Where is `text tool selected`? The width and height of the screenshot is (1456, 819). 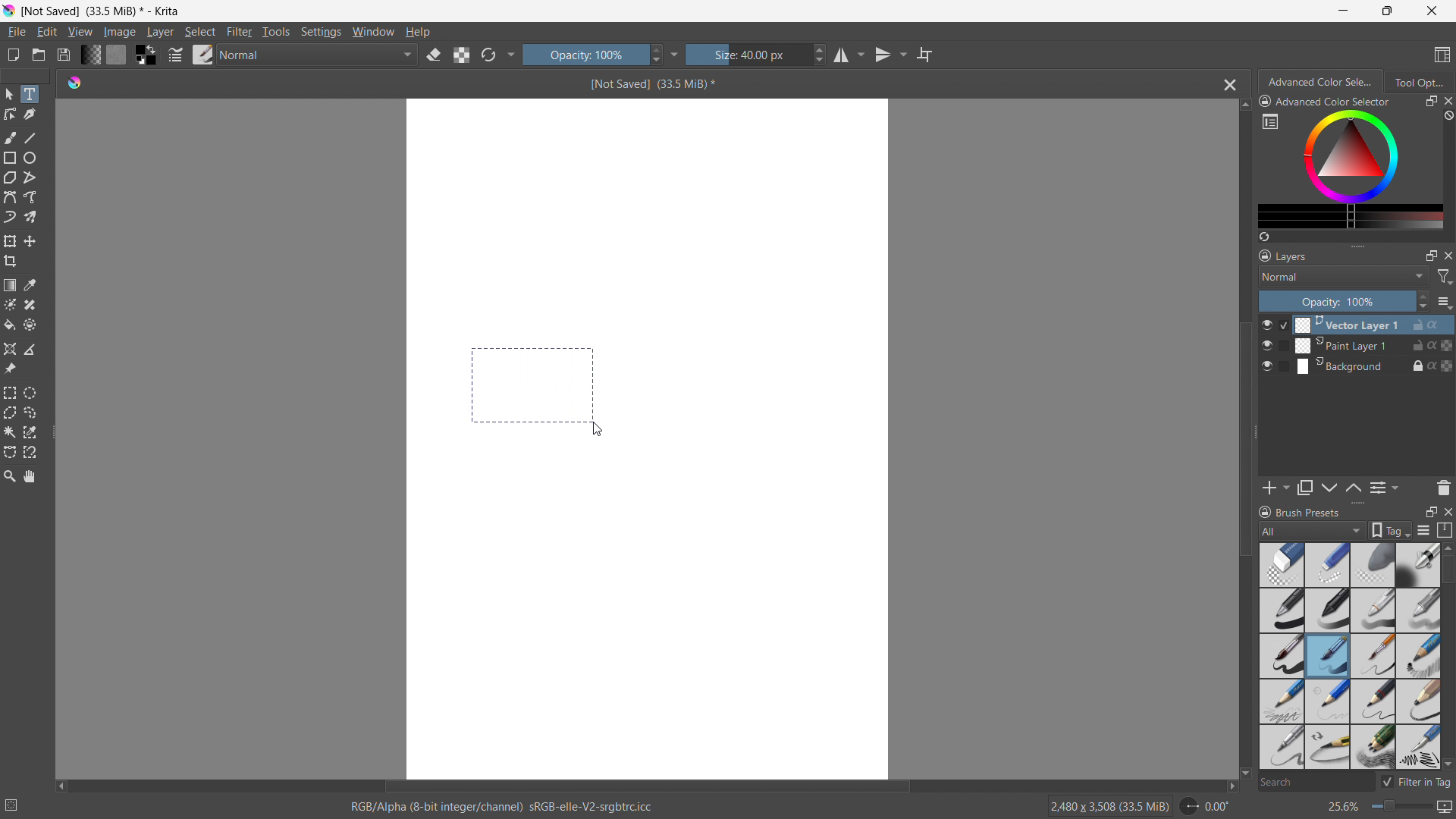 text tool selected is located at coordinates (29, 94).